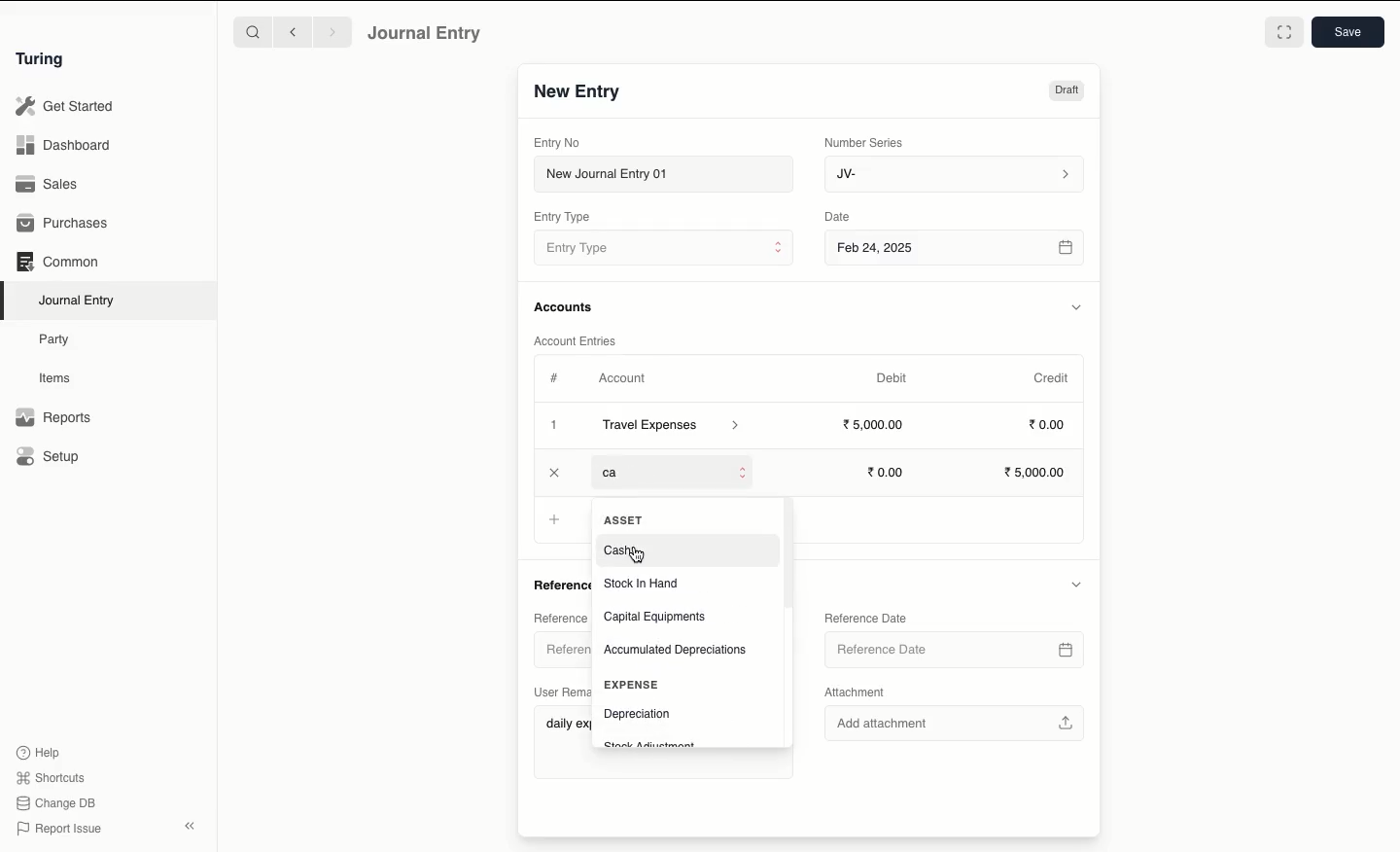  Describe the element at coordinates (63, 225) in the screenshot. I see `Purchases` at that location.